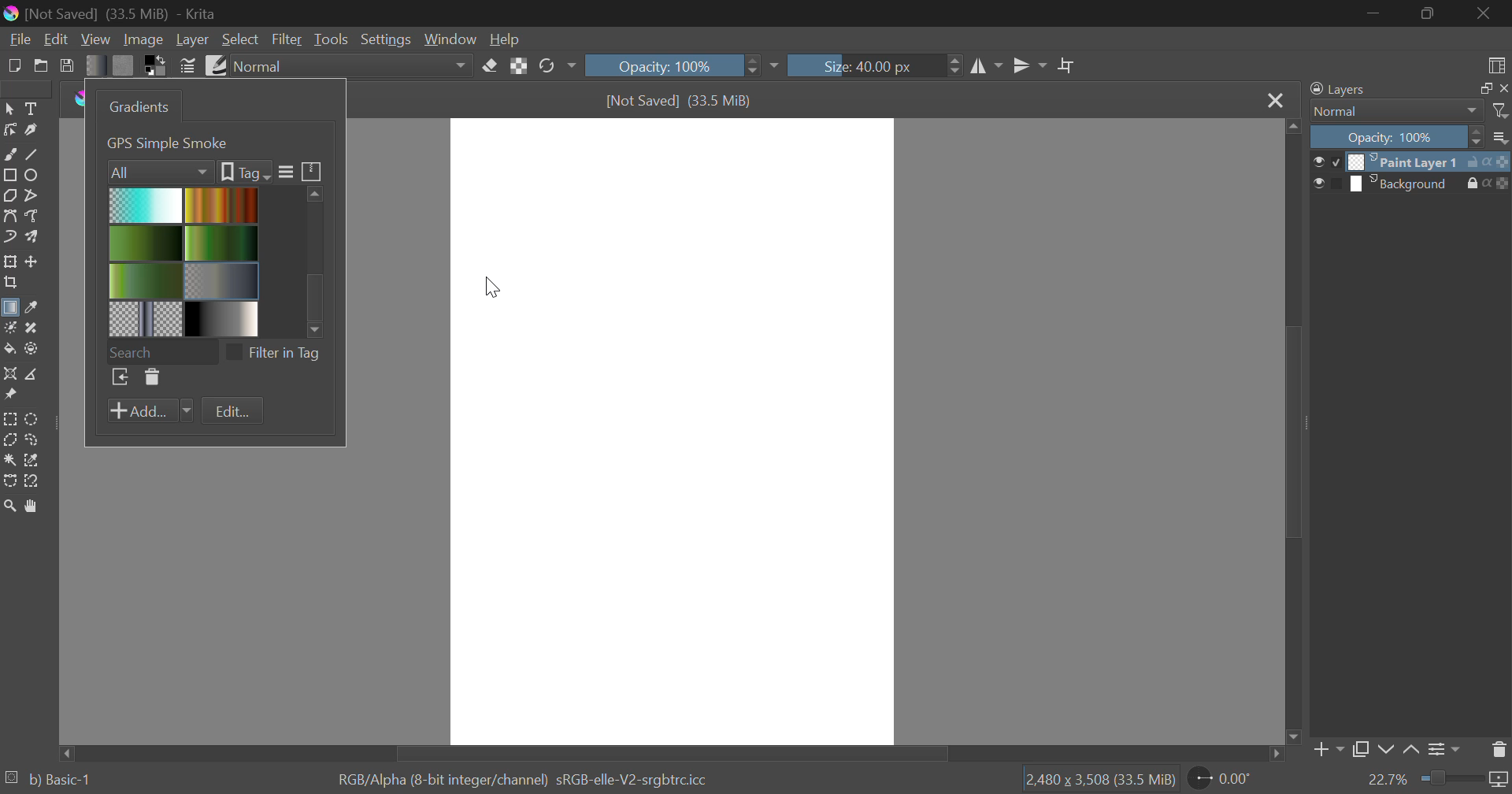  Describe the element at coordinates (10, 375) in the screenshot. I see `Assistant Tool` at that location.